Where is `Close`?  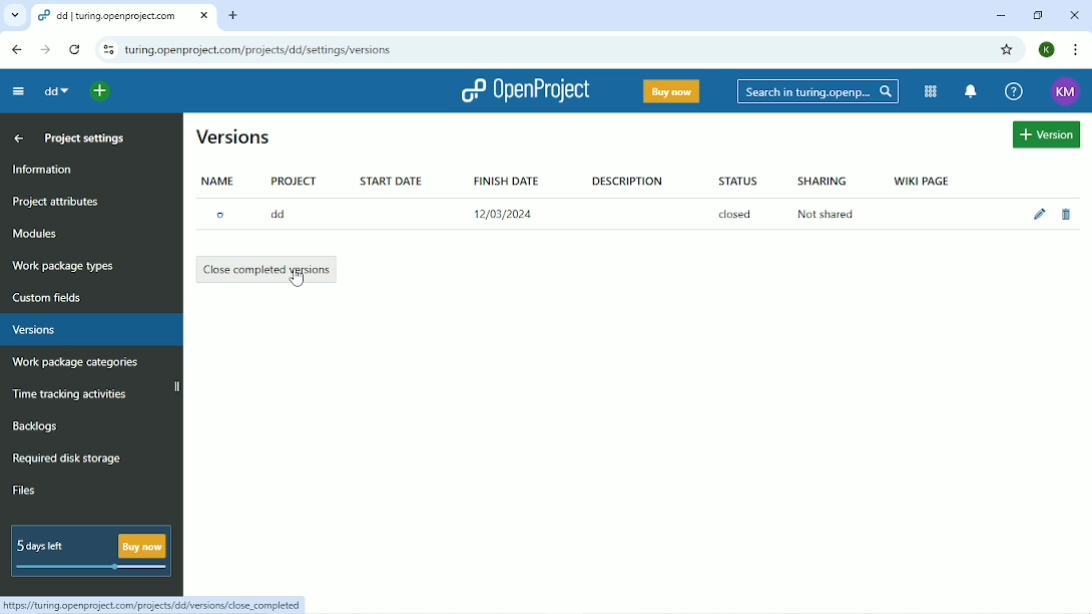
Close is located at coordinates (1076, 15).